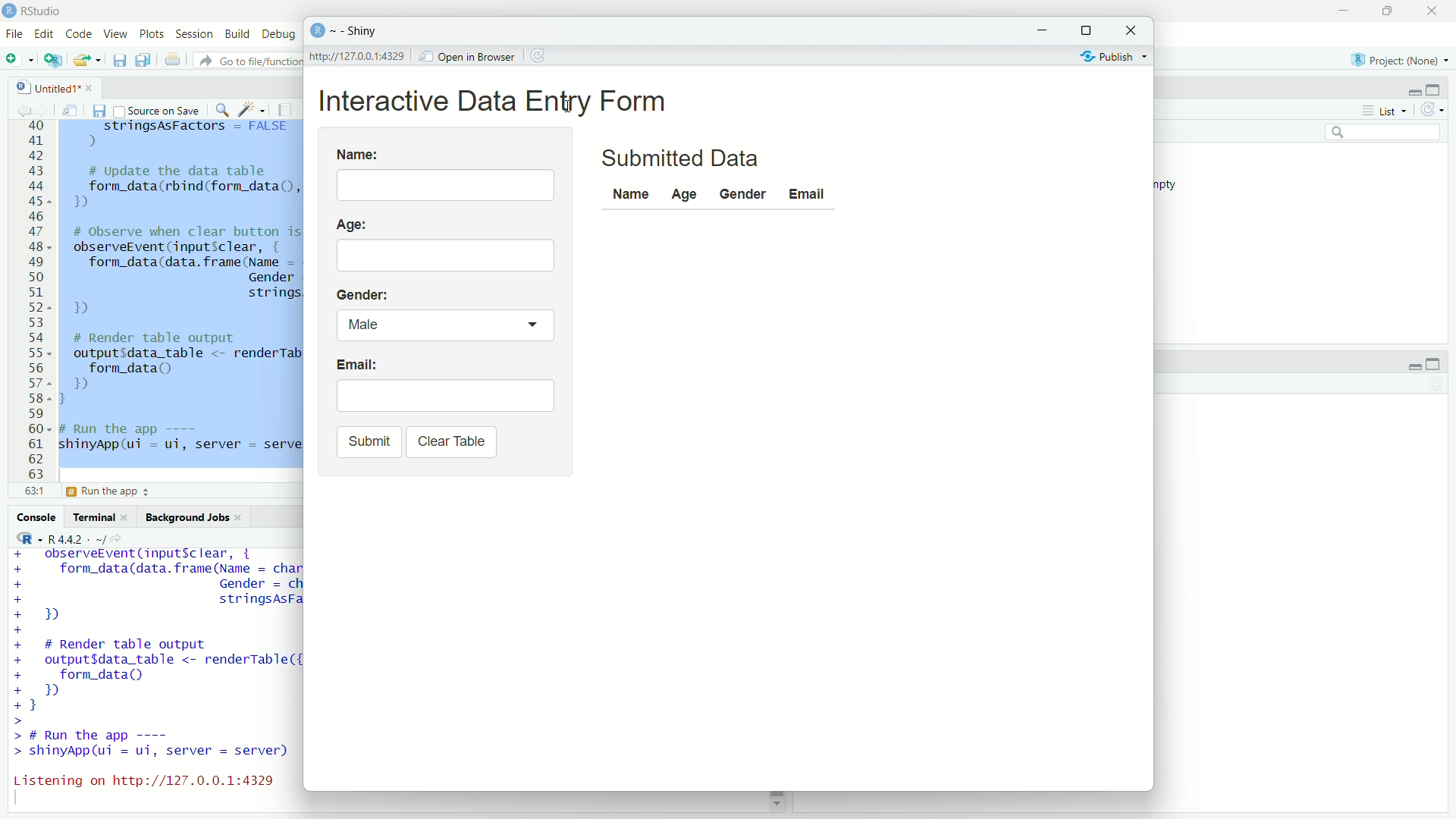 The width and height of the screenshot is (1456, 819). Describe the element at coordinates (17, 108) in the screenshot. I see `go back to previous source location` at that location.